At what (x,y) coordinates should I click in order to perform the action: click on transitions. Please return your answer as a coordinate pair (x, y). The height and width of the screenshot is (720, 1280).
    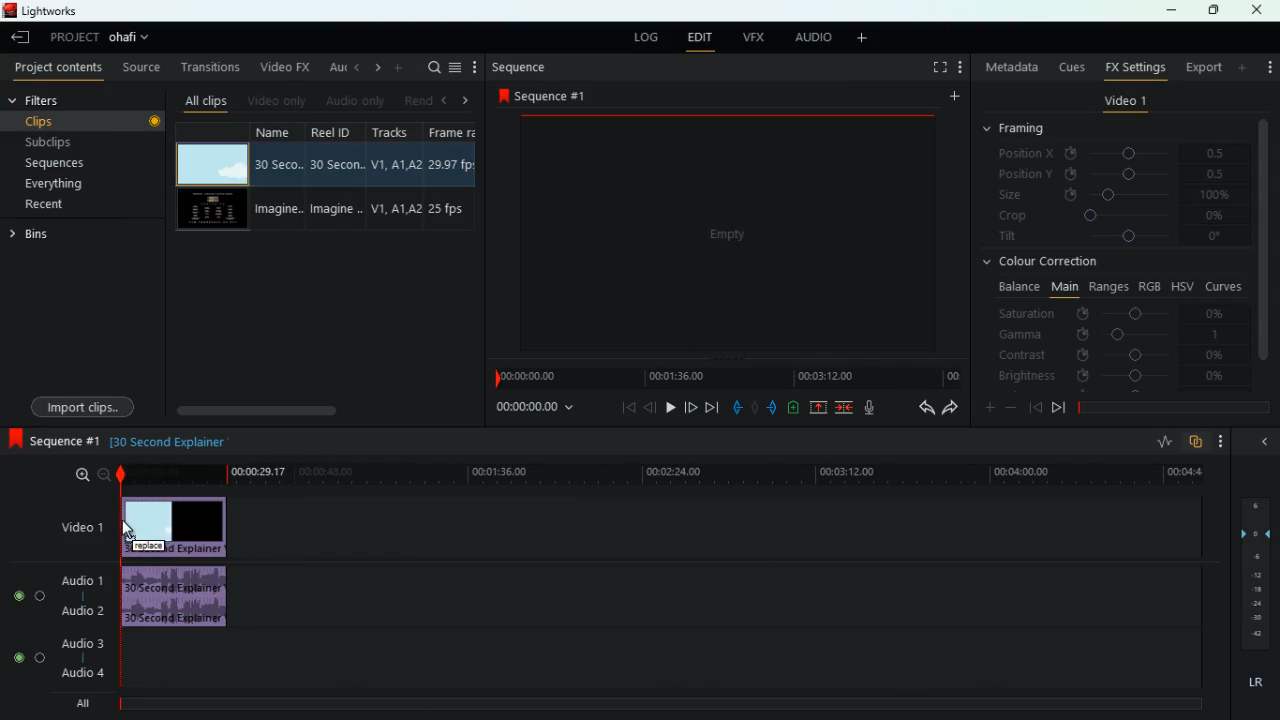
    Looking at the image, I should click on (212, 67).